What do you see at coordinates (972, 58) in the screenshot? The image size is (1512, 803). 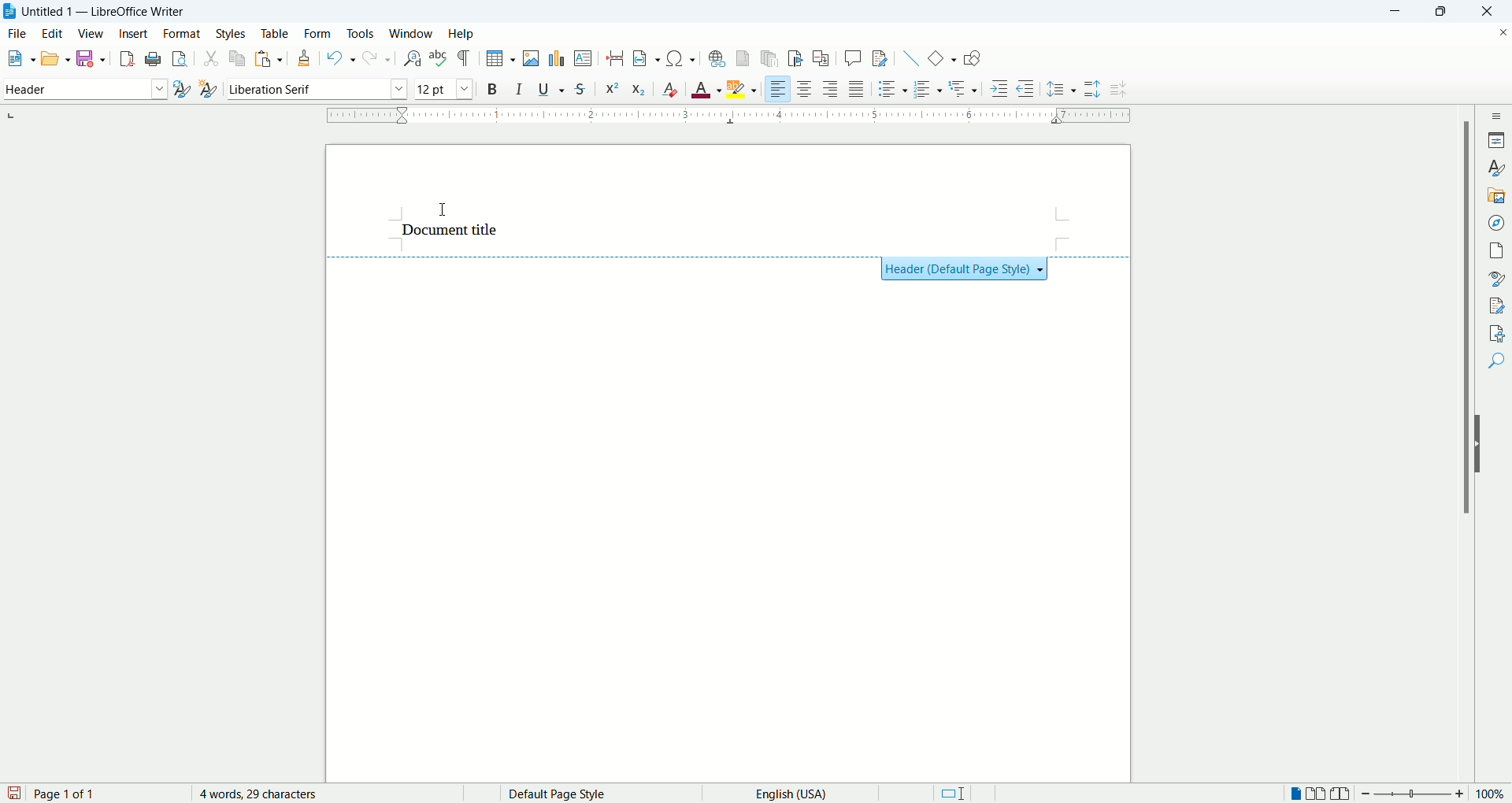 I see `show draw functions` at bounding box center [972, 58].